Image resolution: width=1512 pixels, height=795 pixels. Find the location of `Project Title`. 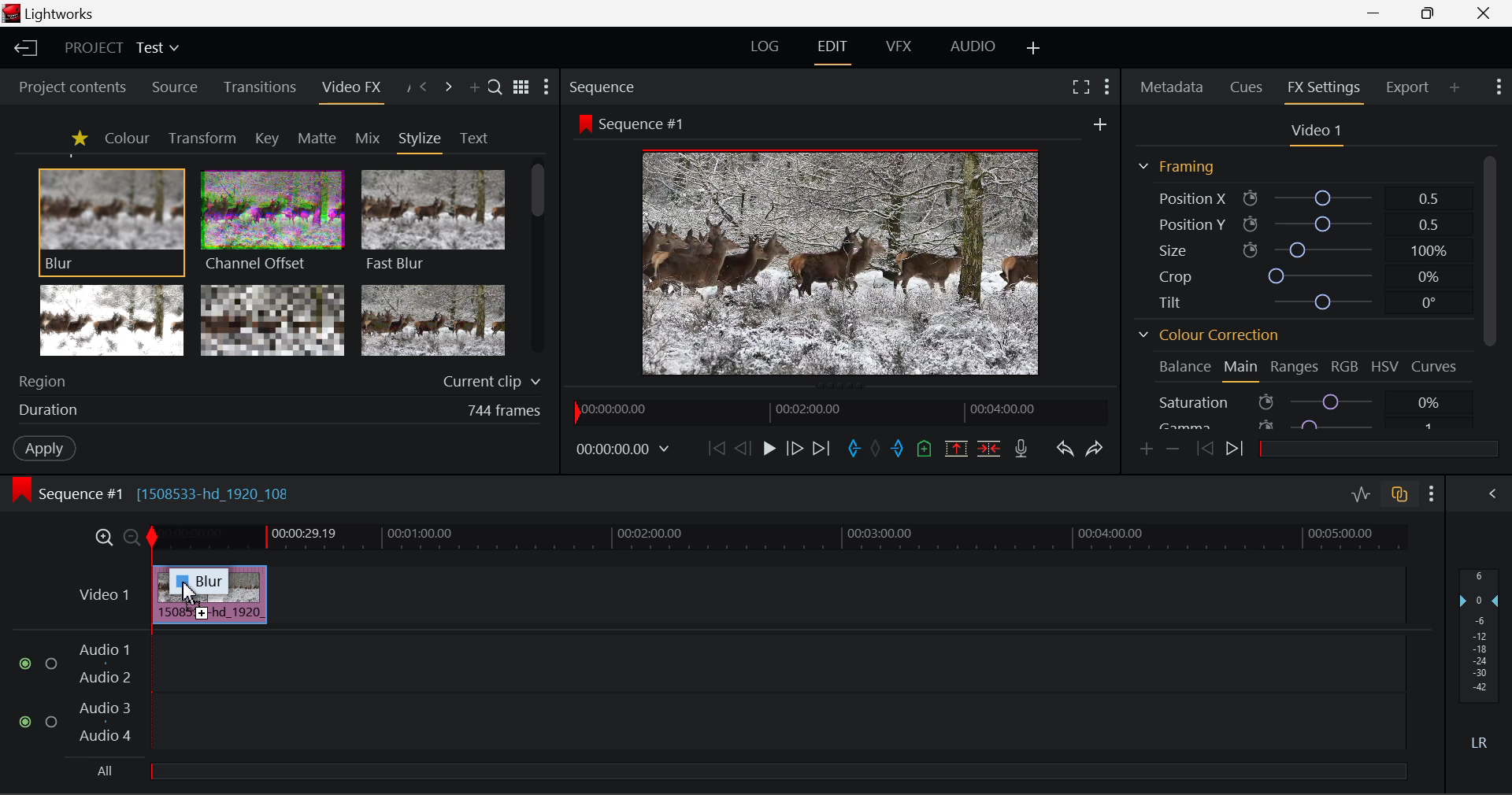

Project Title is located at coordinates (120, 50).